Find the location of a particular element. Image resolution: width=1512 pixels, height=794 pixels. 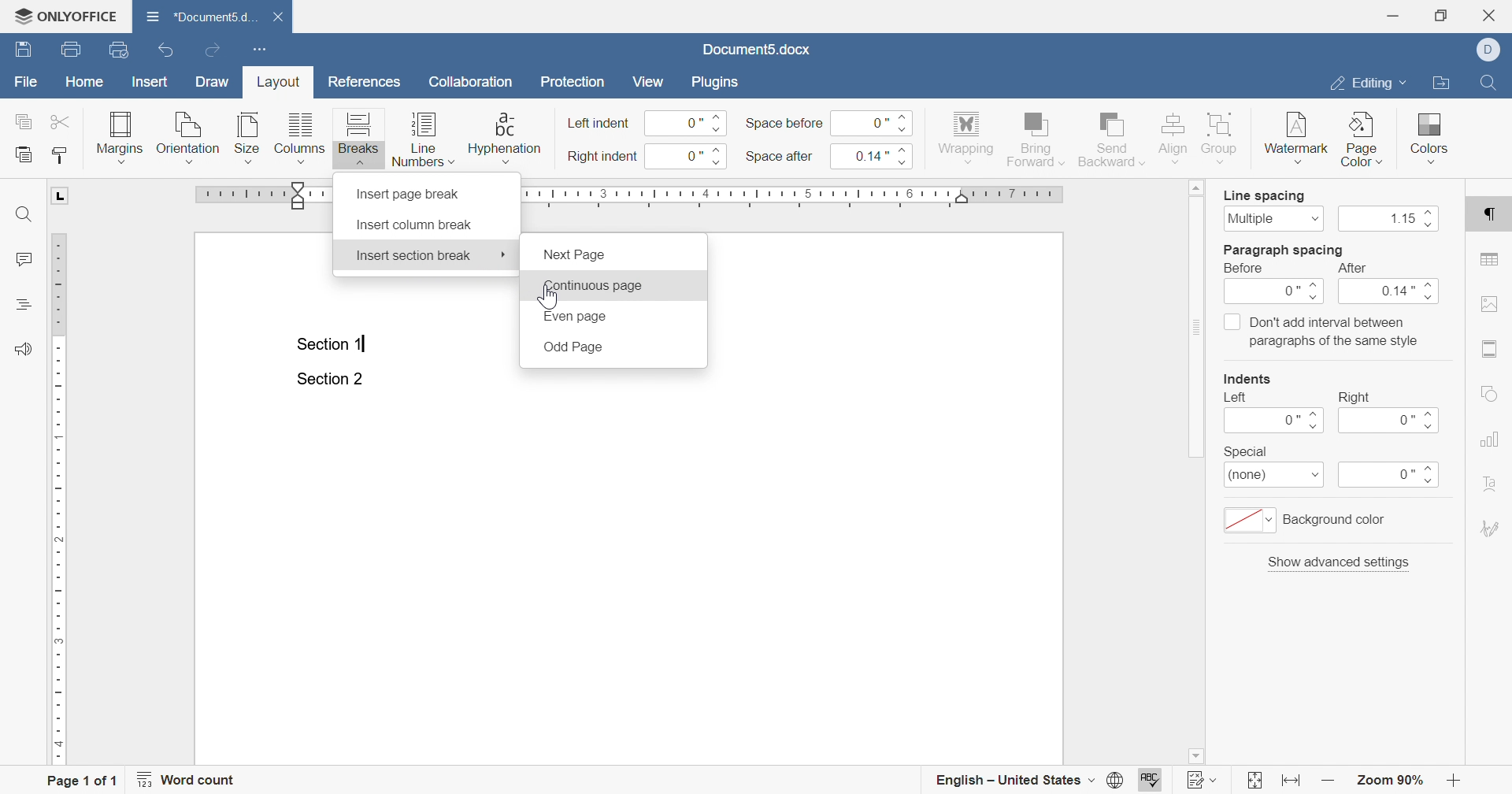

header & footer settings is located at coordinates (1492, 350).